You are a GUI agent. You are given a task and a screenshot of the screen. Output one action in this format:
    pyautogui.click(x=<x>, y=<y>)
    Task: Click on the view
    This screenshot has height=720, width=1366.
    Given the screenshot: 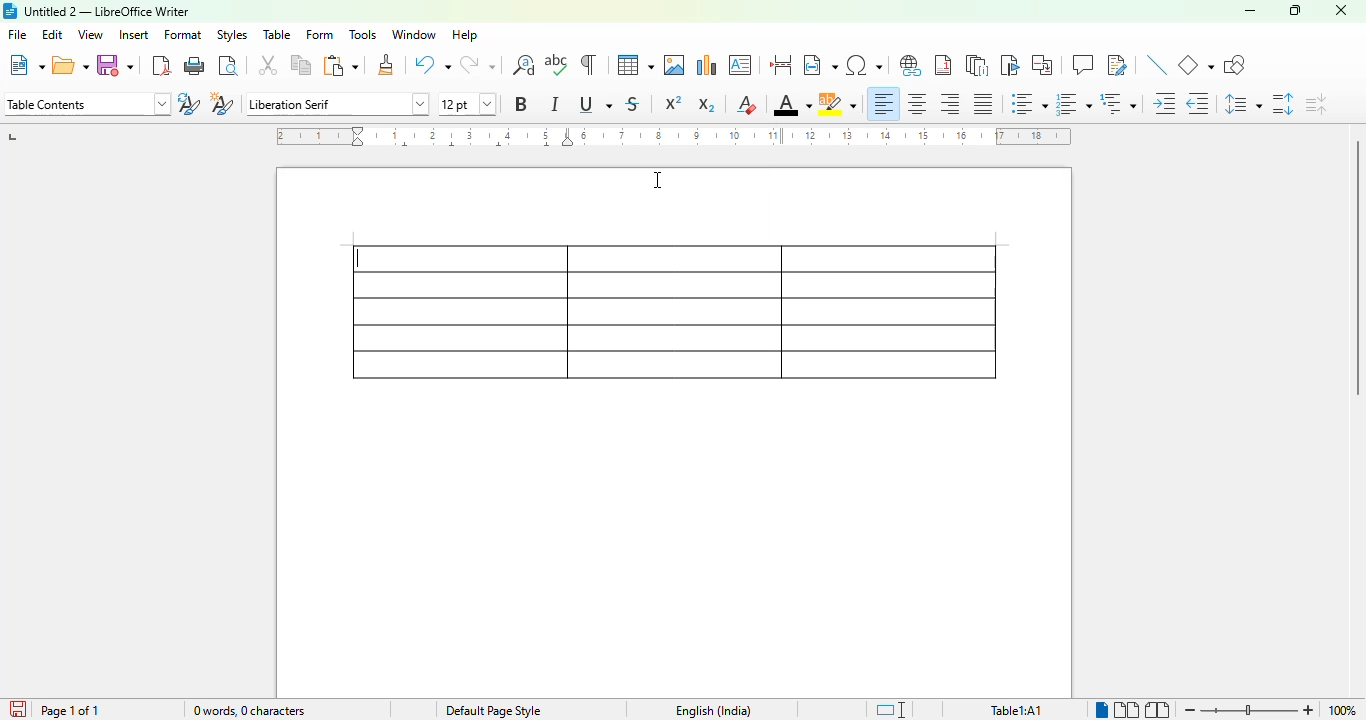 What is the action you would take?
    pyautogui.click(x=90, y=34)
    